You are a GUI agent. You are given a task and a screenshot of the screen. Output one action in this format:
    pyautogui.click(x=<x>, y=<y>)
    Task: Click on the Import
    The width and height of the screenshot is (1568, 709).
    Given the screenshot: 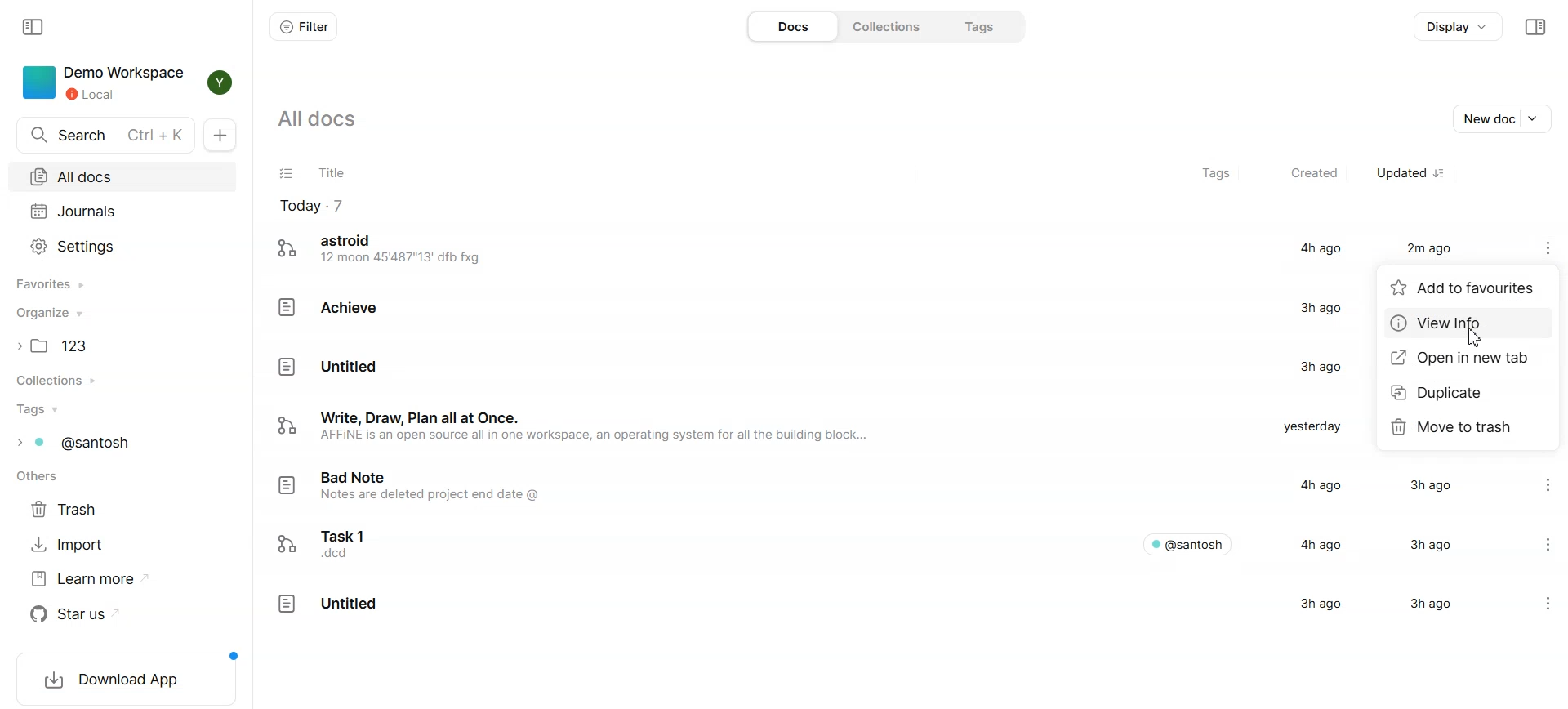 What is the action you would take?
    pyautogui.click(x=73, y=545)
    